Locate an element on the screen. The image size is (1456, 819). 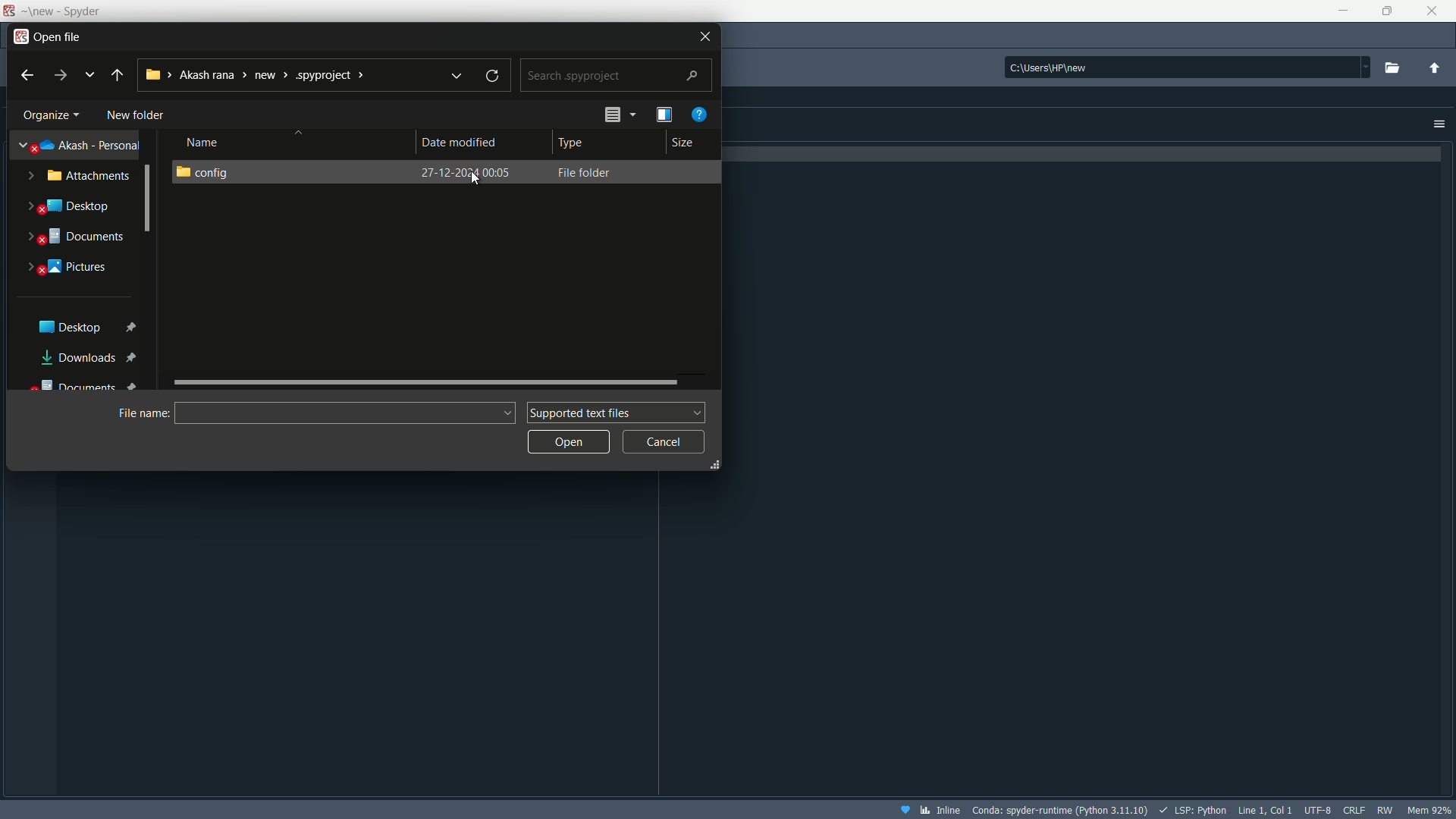
forward is located at coordinates (57, 76).